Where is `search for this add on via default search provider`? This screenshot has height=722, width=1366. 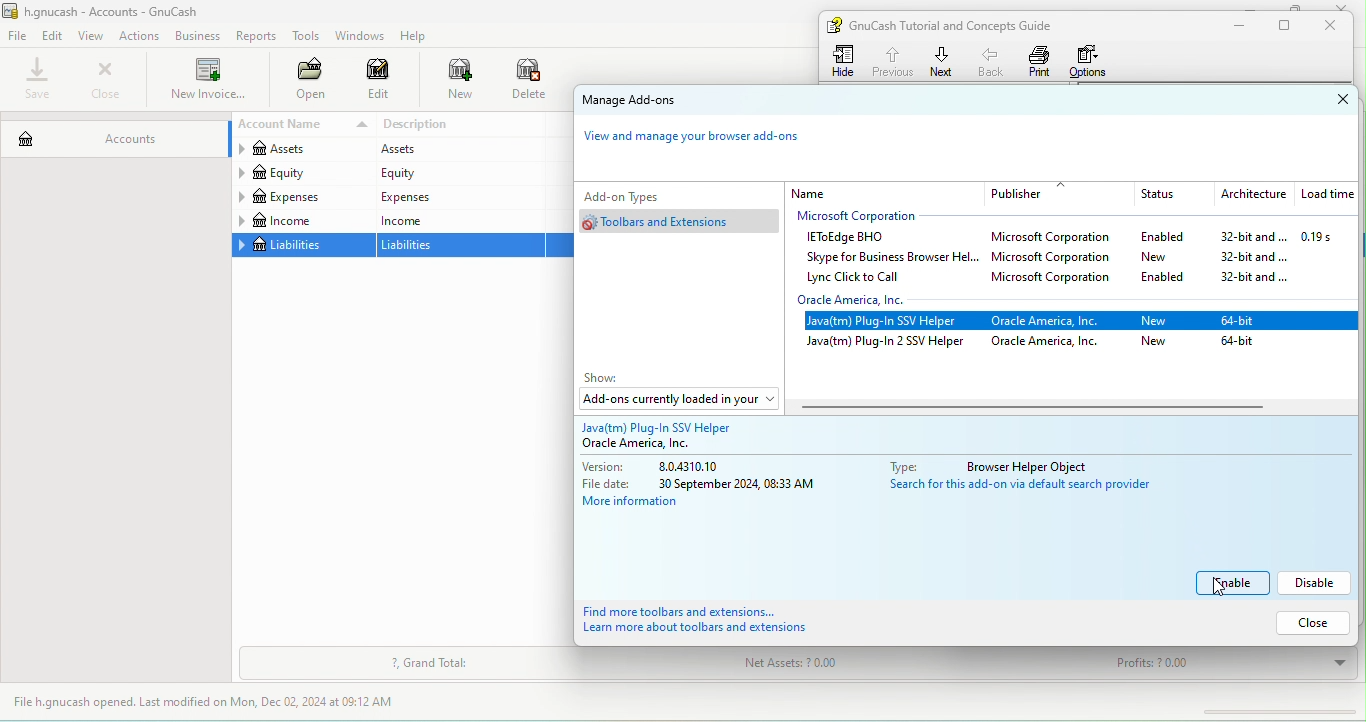 search for this add on via default search provider is located at coordinates (1031, 487).